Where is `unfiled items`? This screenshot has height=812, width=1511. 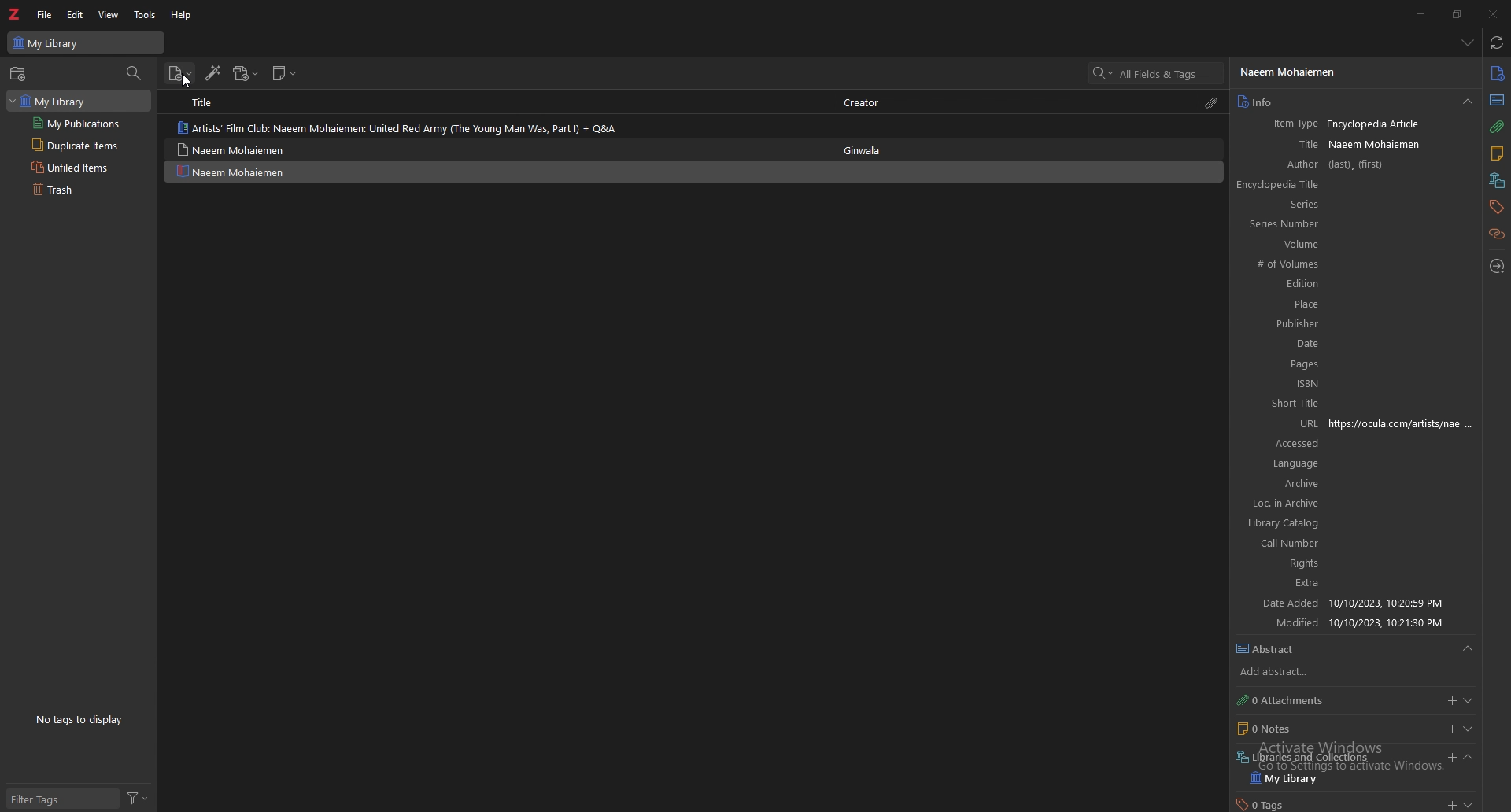
unfiled items is located at coordinates (73, 168).